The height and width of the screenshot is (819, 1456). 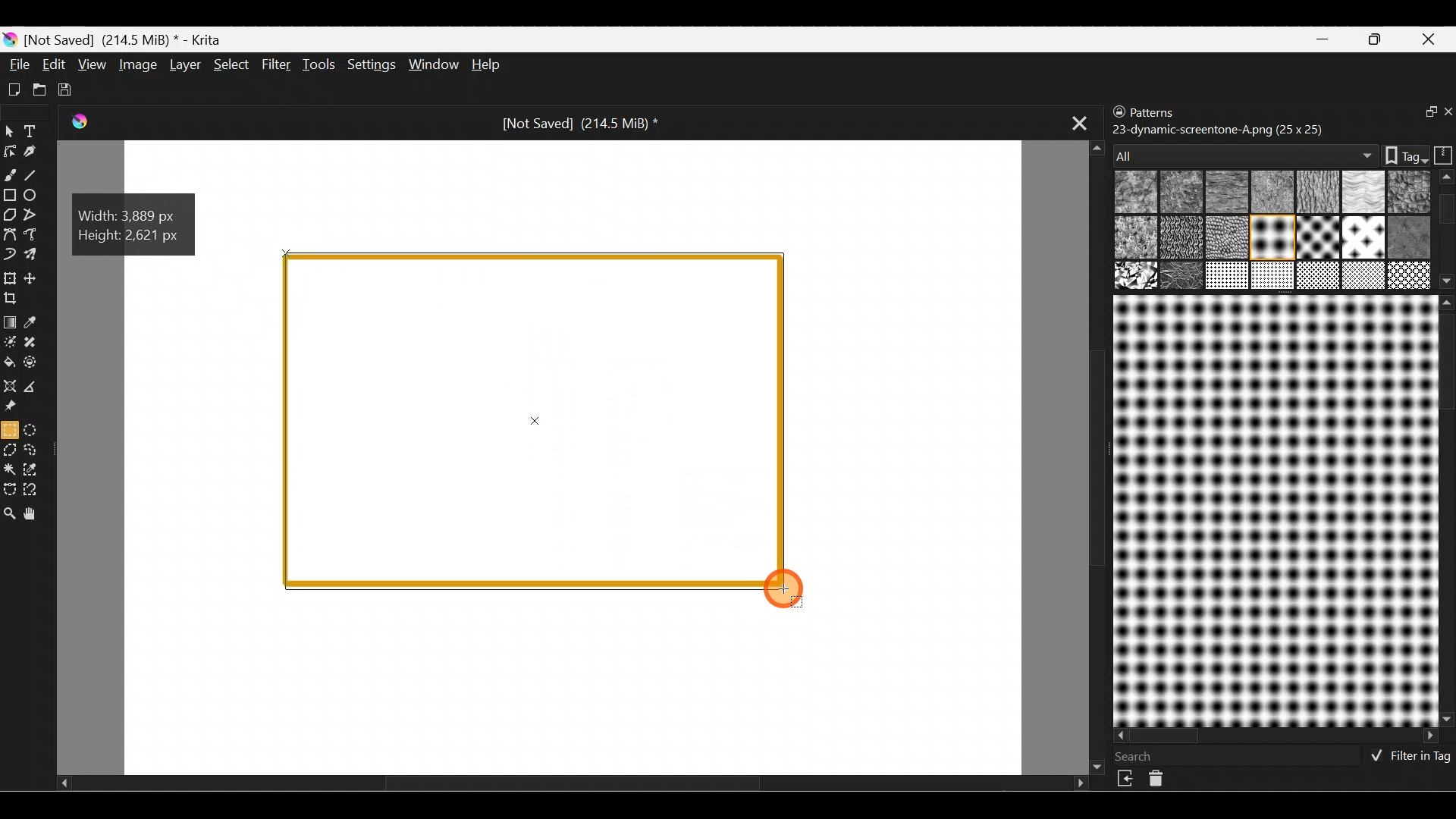 What do you see at coordinates (33, 234) in the screenshot?
I see `Freehand path tool` at bounding box center [33, 234].